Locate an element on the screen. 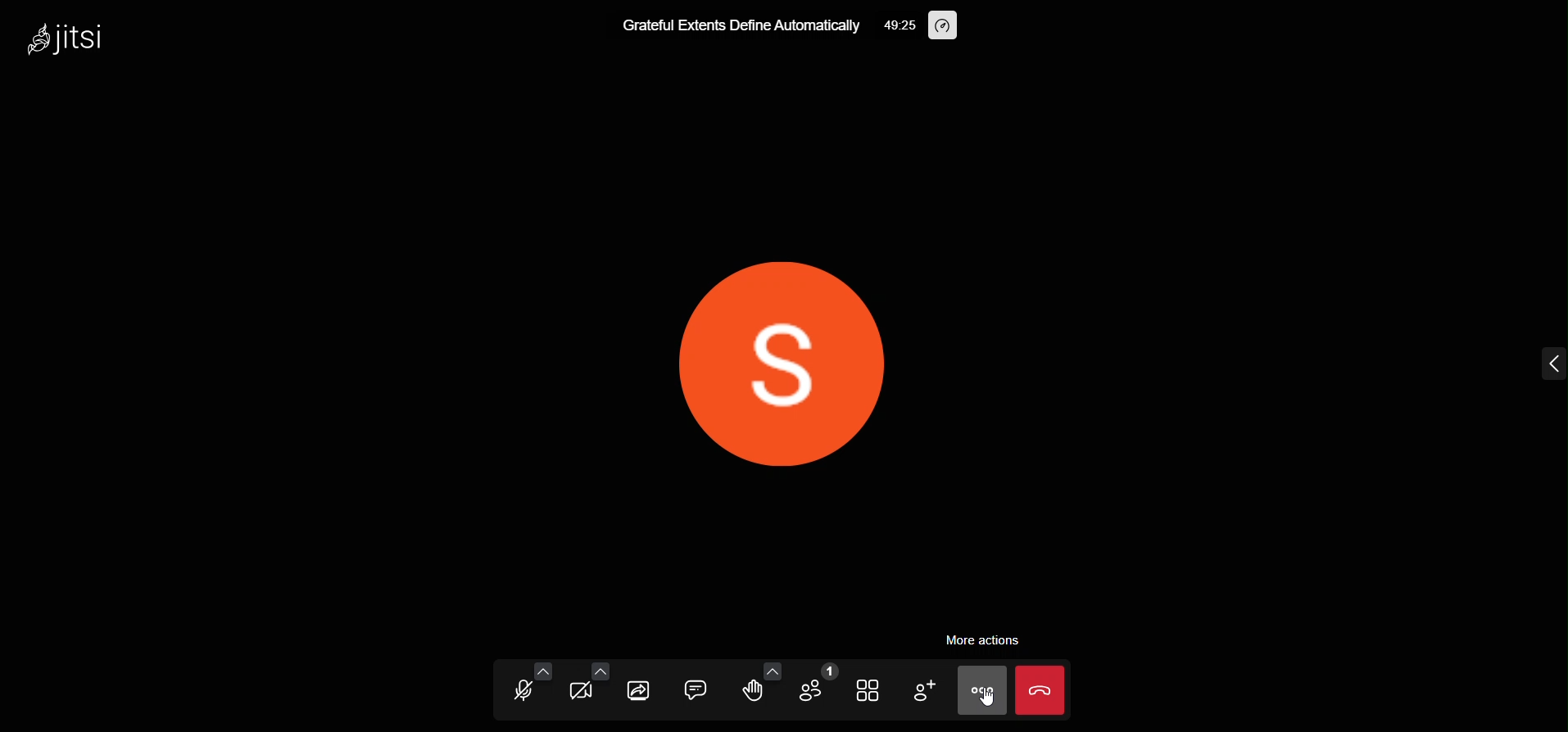  more is located at coordinates (986, 692).